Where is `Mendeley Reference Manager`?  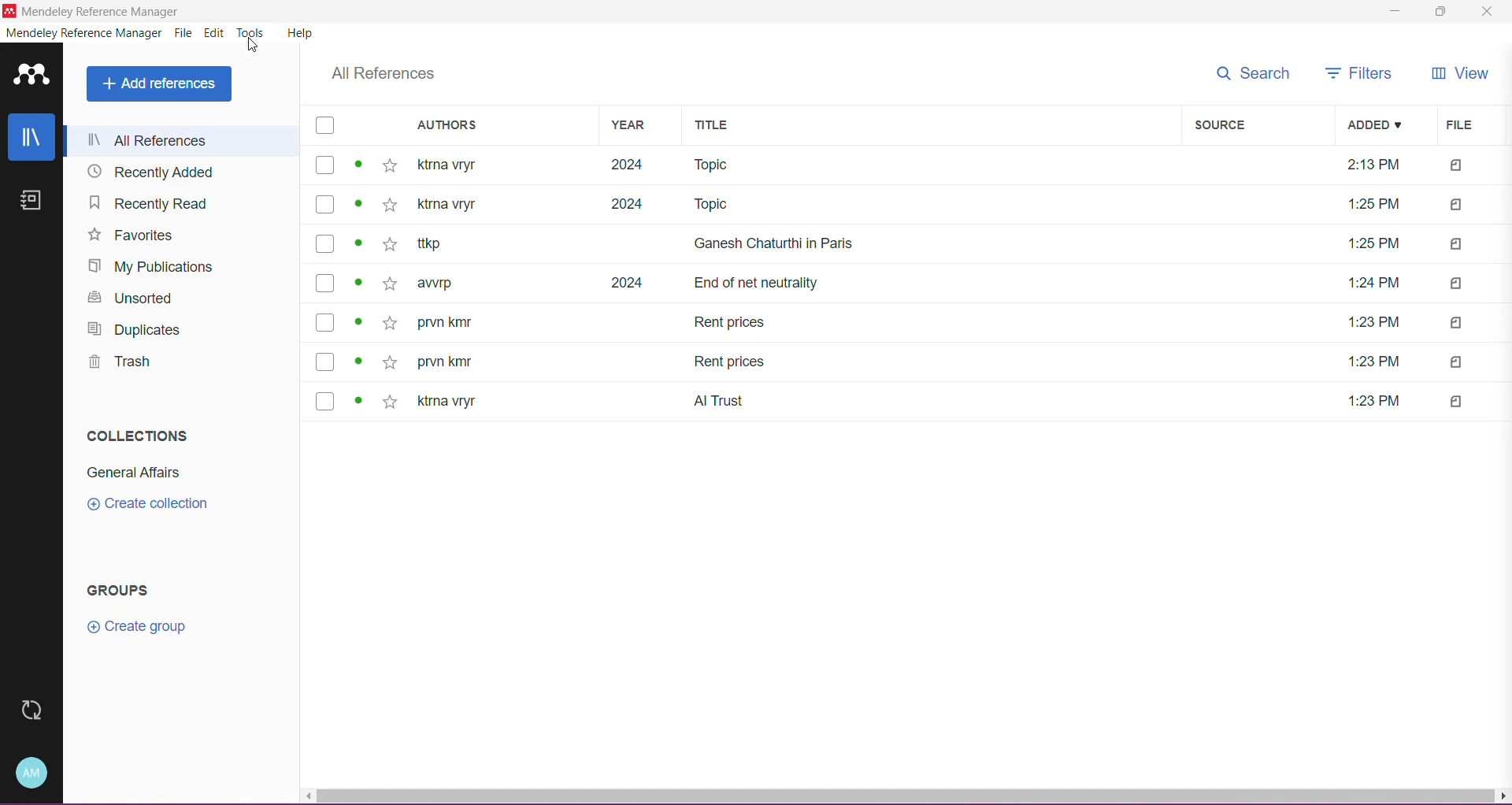
Mendeley Reference Manager is located at coordinates (83, 35).